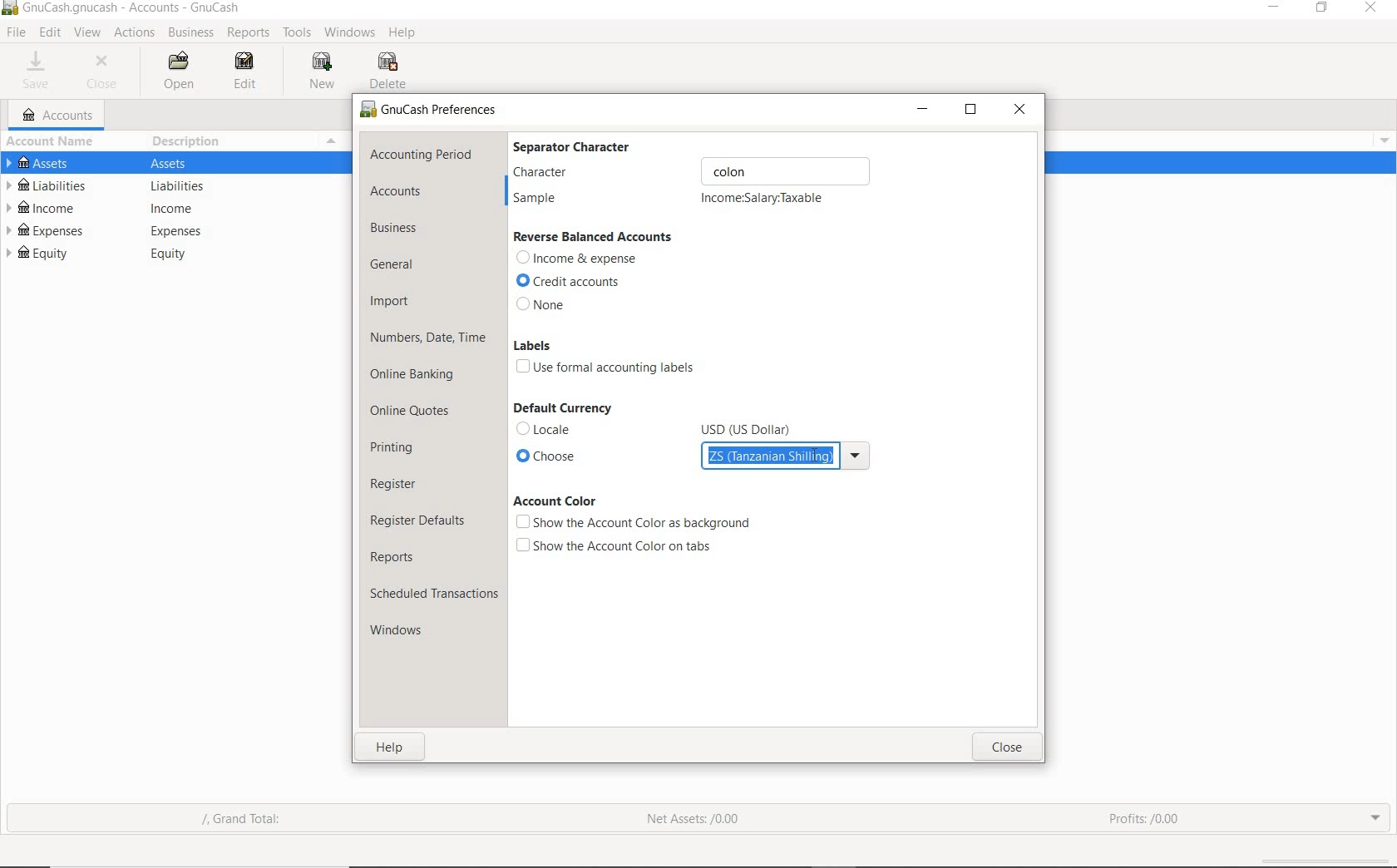 This screenshot has height=868, width=1397. Describe the element at coordinates (409, 633) in the screenshot. I see `windows` at that location.